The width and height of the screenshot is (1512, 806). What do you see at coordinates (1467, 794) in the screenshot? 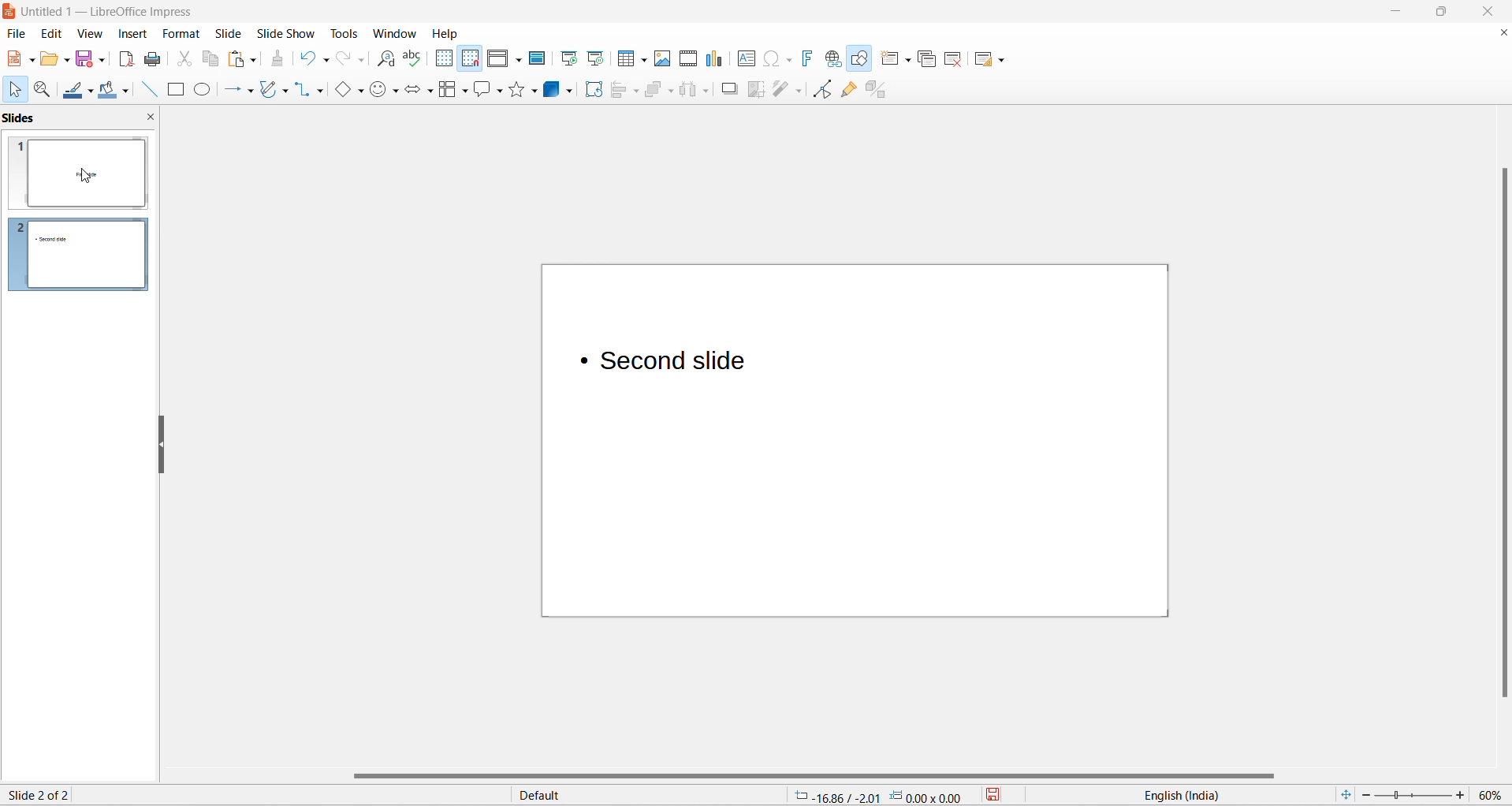
I see `increase zoom` at bounding box center [1467, 794].